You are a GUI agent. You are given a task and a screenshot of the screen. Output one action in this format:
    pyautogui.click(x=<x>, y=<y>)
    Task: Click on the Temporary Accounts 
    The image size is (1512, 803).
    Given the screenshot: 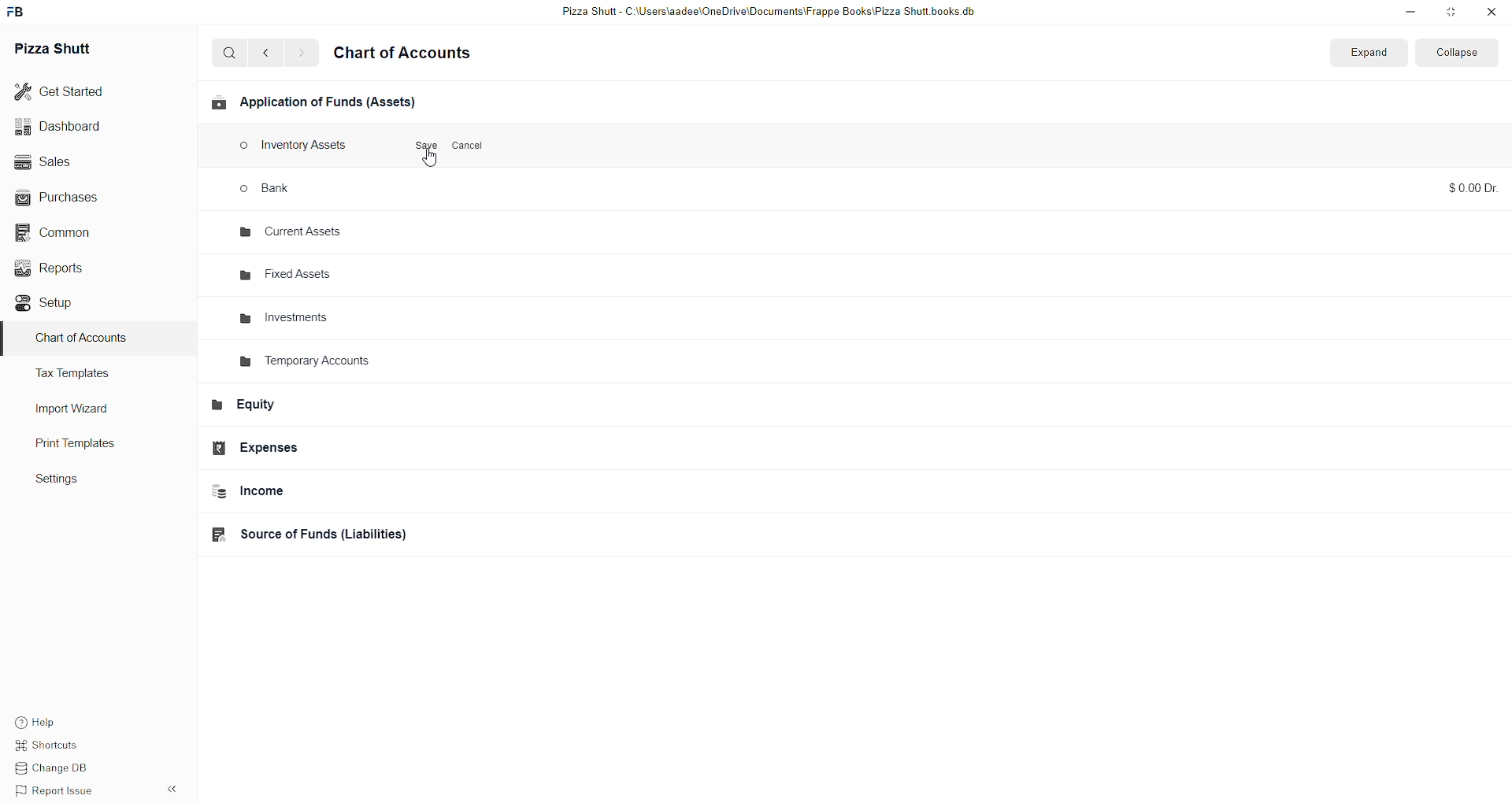 What is the action you would take?
    pyautogui.click(x=309, y=364)
    